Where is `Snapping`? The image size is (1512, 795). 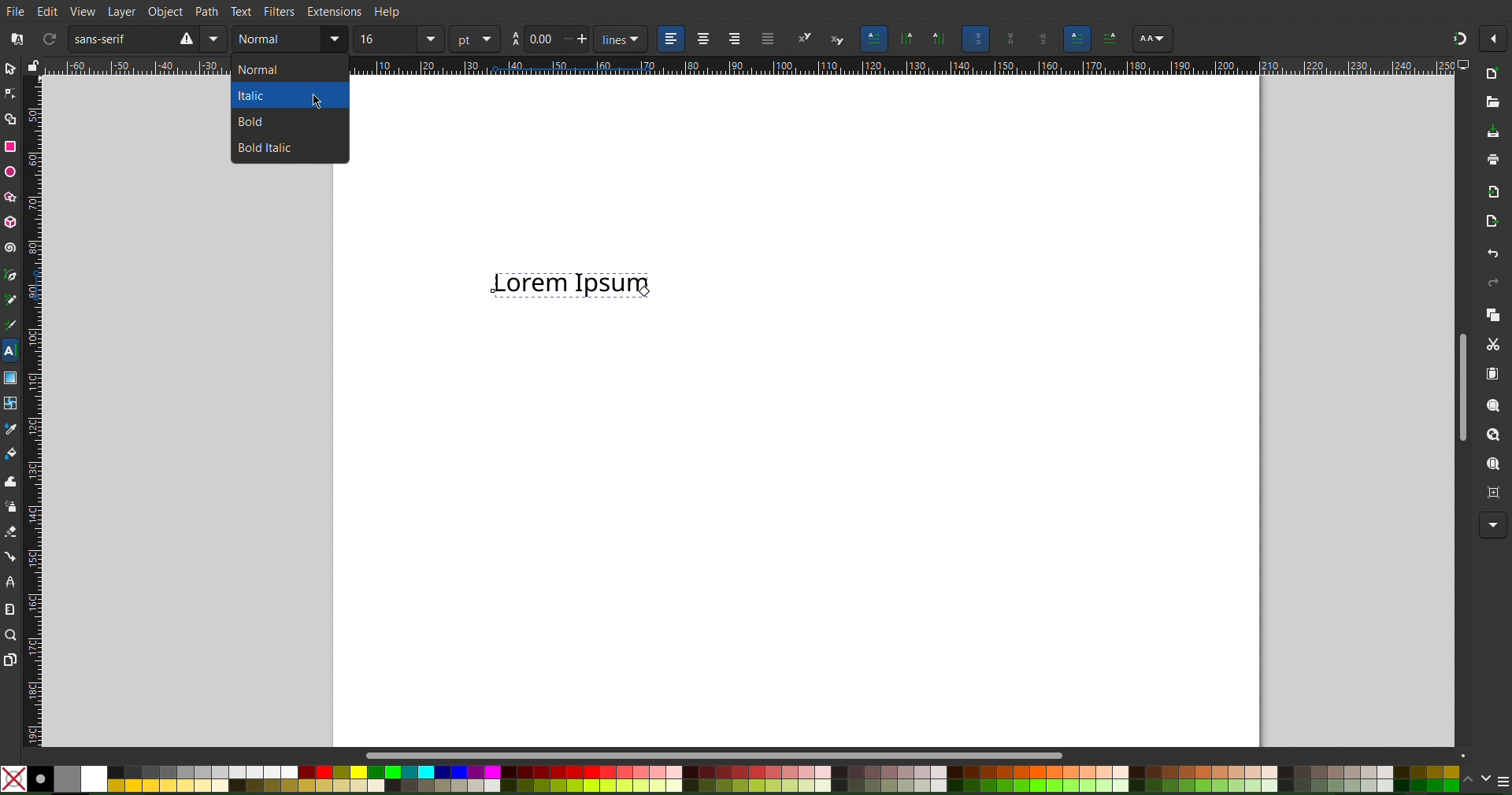 Snapping is located at coordinates (1458, 39).